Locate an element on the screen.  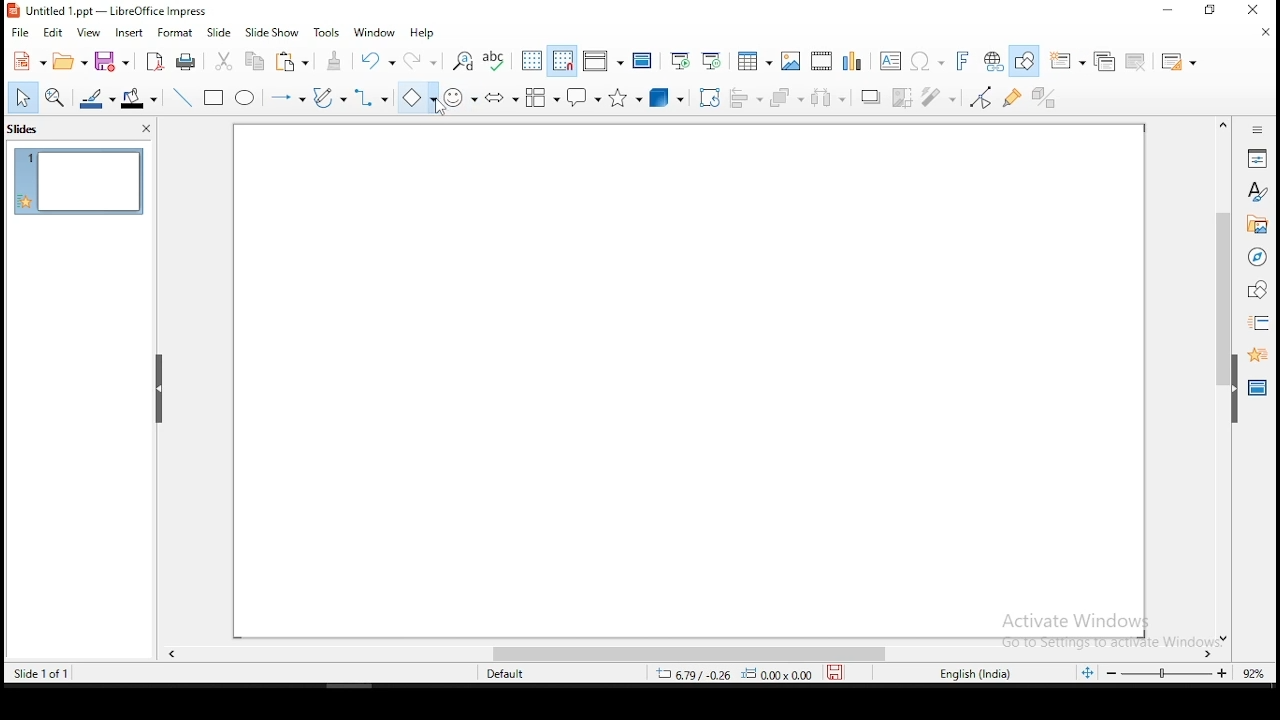
file is located at coordinates (20, 34).